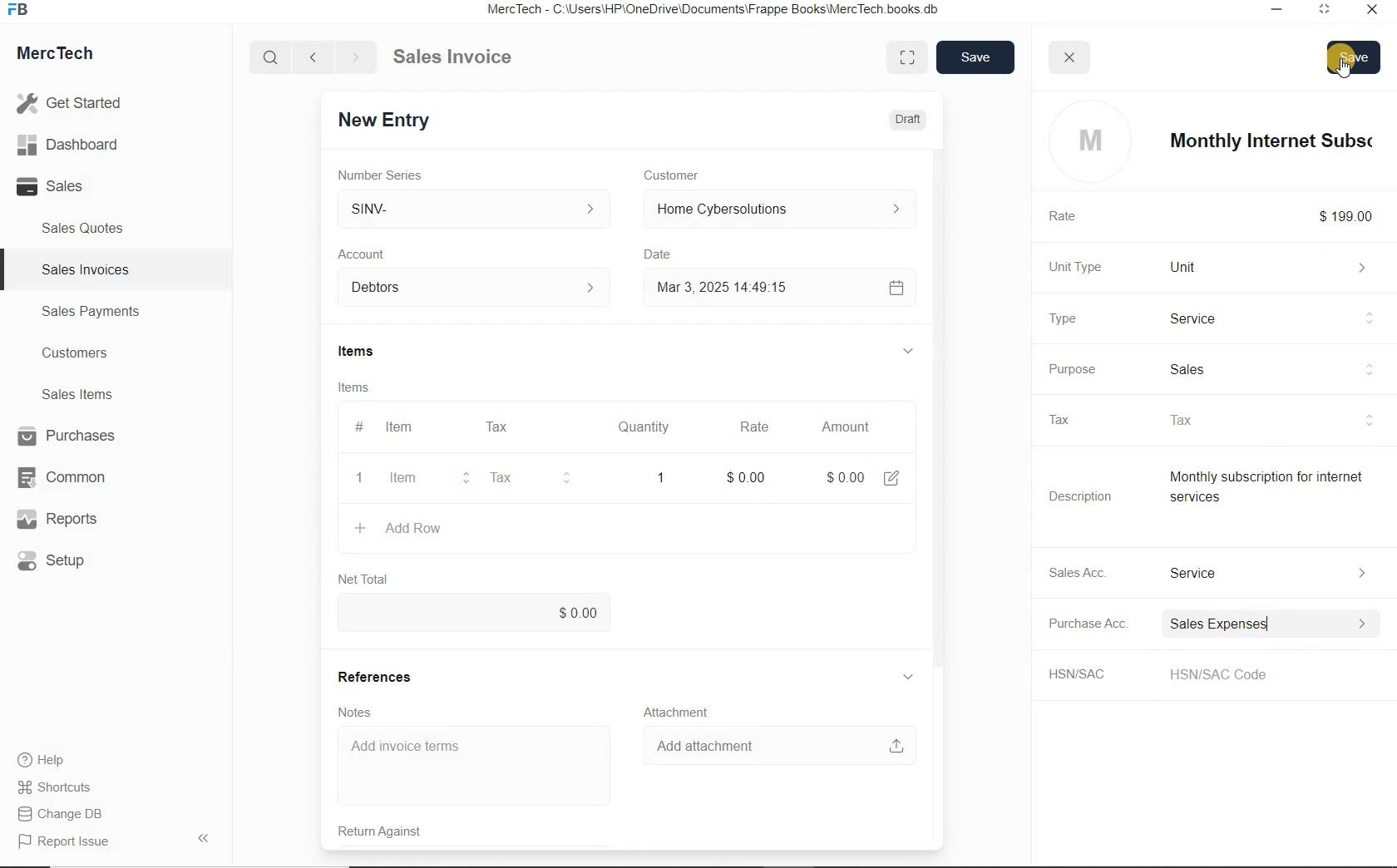 This screenshot has height=868, width=1397. I want to click on Add attachment, so click(770, 745).